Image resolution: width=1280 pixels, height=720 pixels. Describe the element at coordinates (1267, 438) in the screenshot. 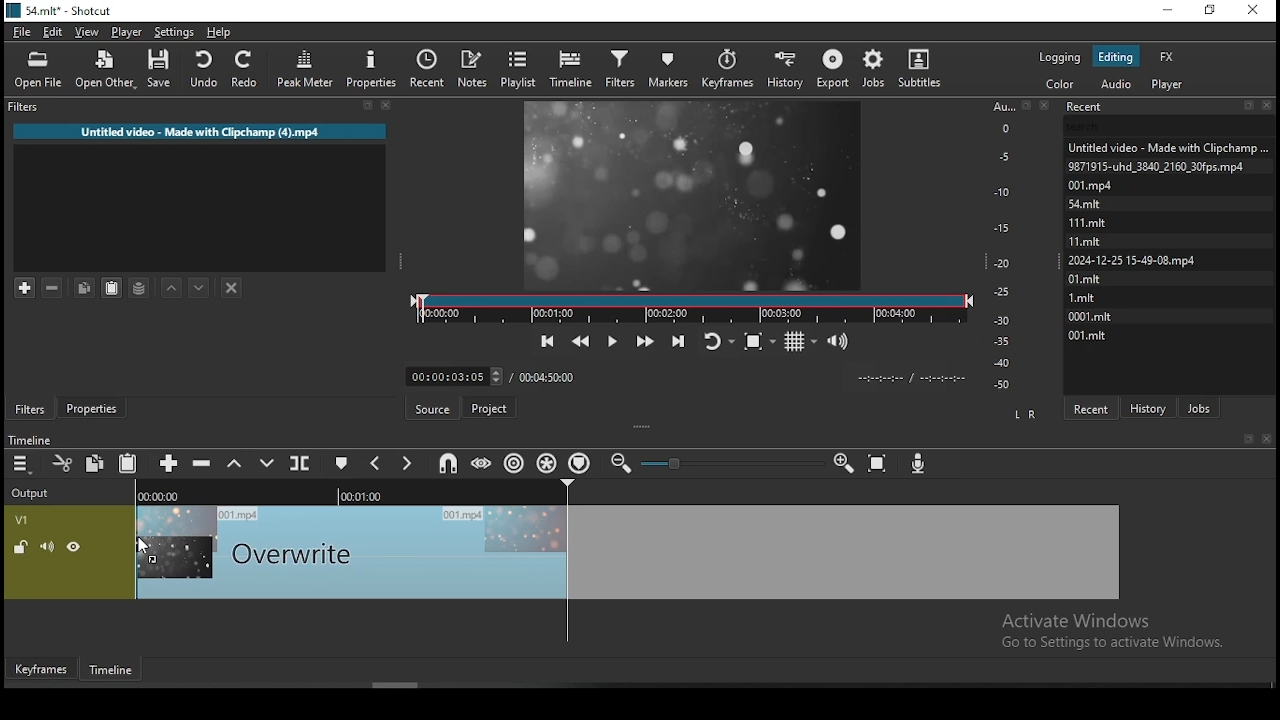

I see `close` at that location.